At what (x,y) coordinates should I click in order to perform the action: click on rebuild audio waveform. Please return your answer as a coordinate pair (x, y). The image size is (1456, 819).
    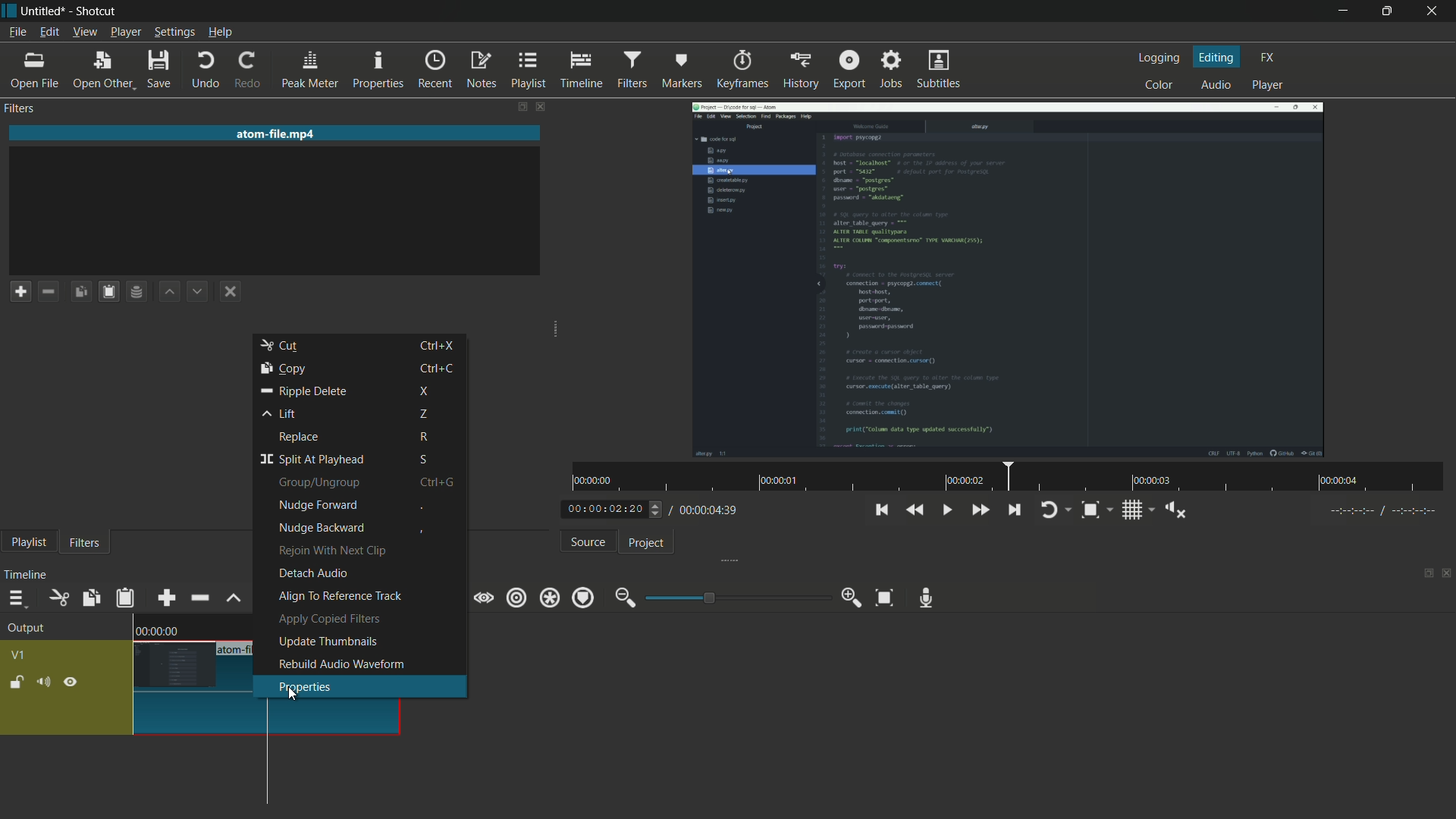
    Looking at the image, I should click on (341, 664).